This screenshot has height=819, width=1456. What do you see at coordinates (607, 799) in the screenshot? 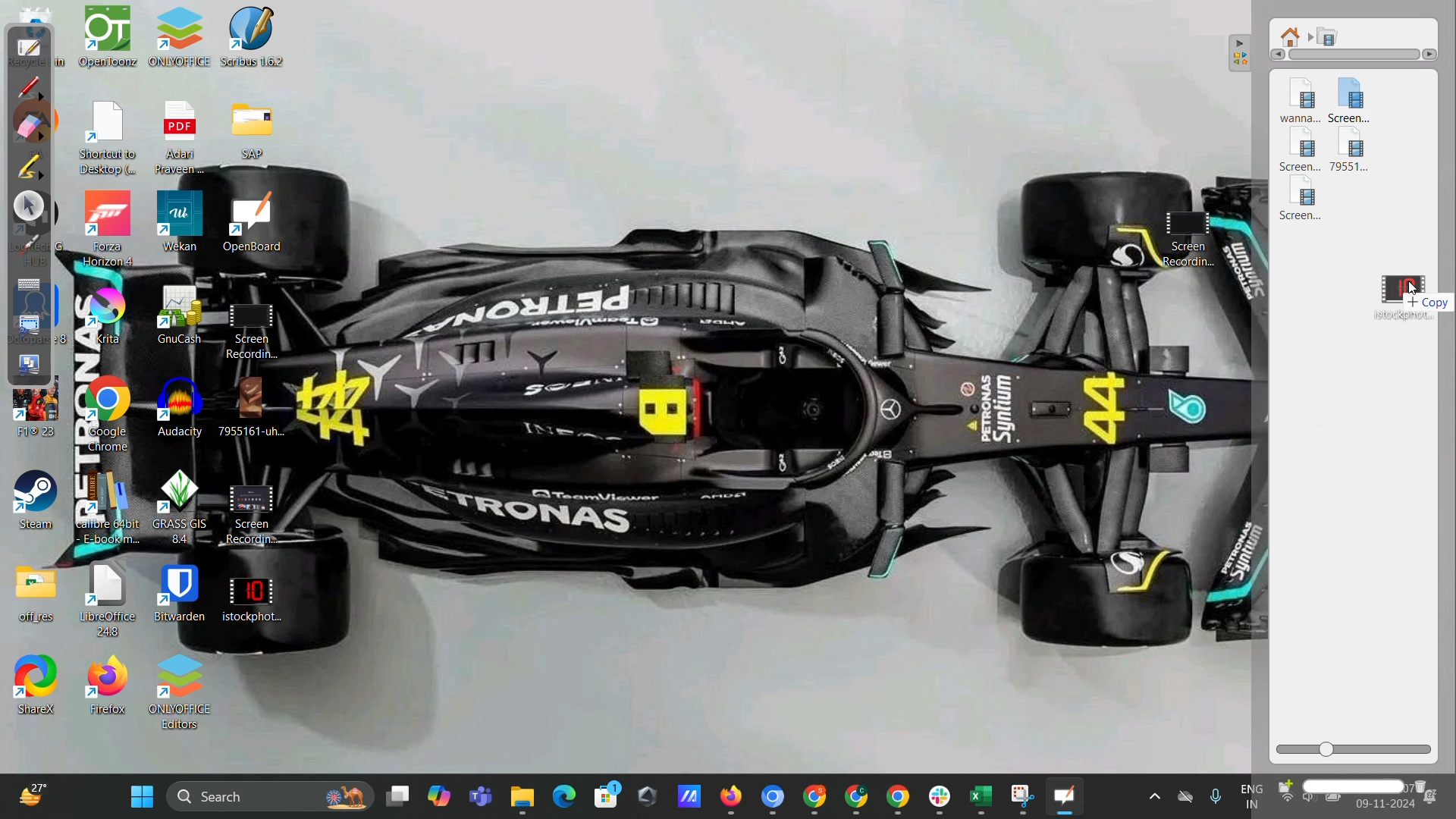
I see `microsoft store` at bounding box center [607, 799].